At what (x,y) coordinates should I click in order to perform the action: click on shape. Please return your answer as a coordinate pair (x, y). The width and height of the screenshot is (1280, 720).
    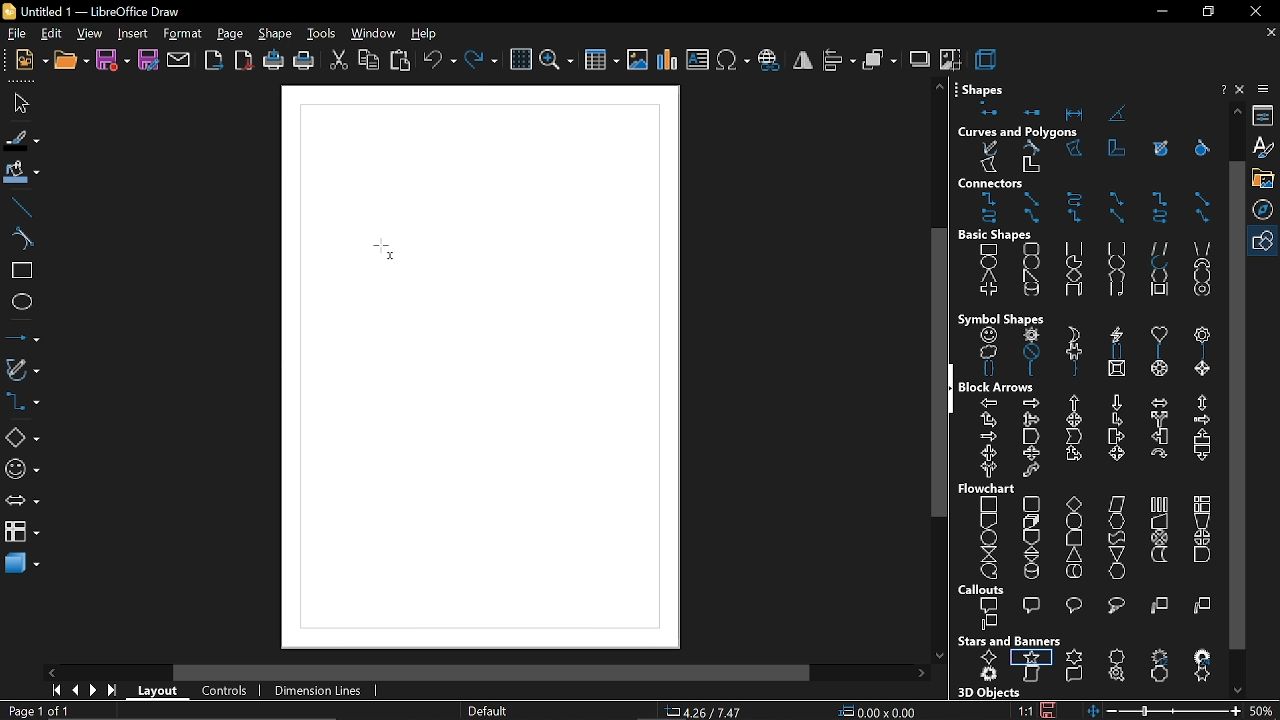
    Looking at the image, I should click on (276, 34).